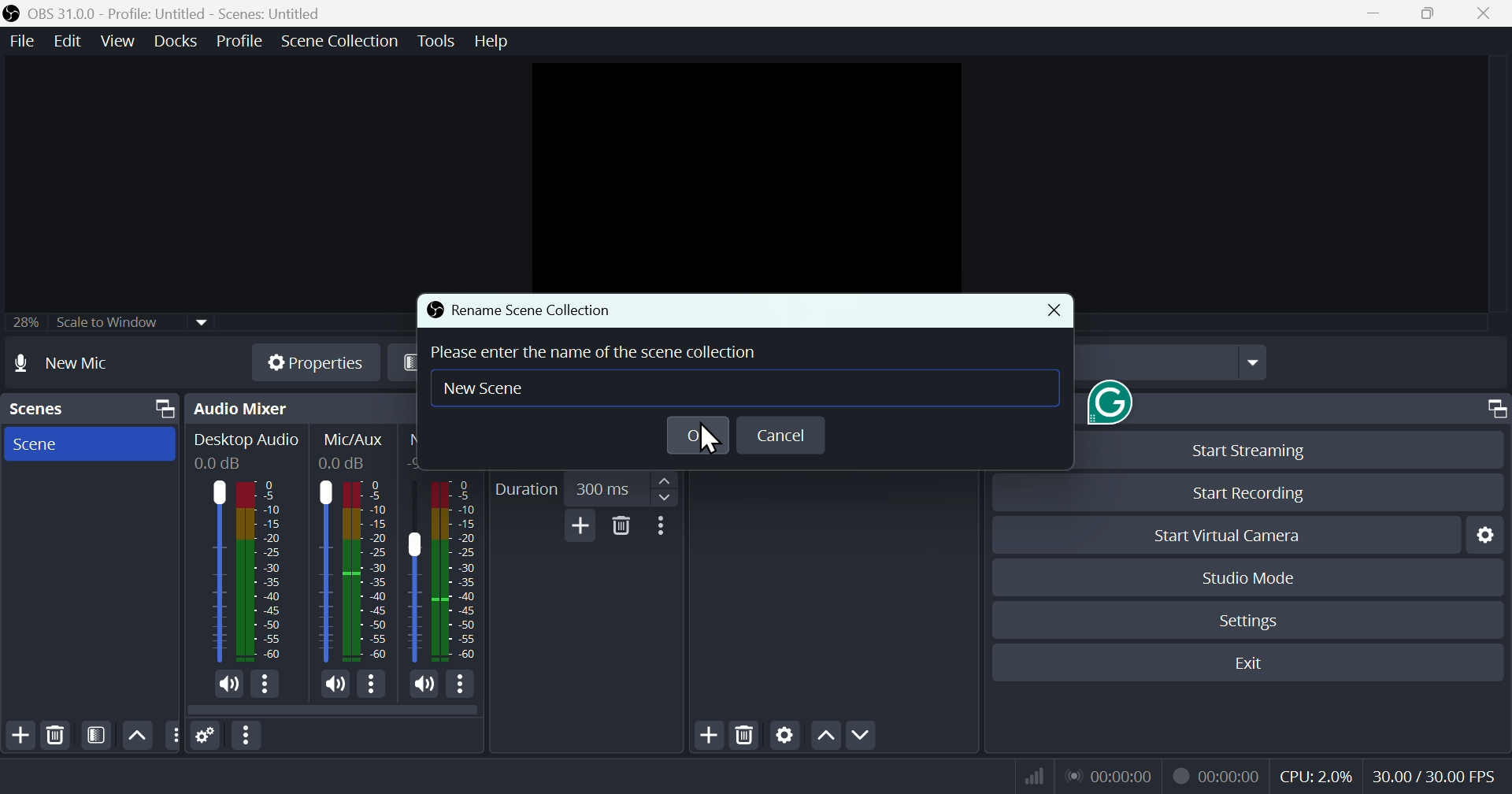 This screenshot has height=794, width=1512. I want to click on Cancel, so click(784, 436).